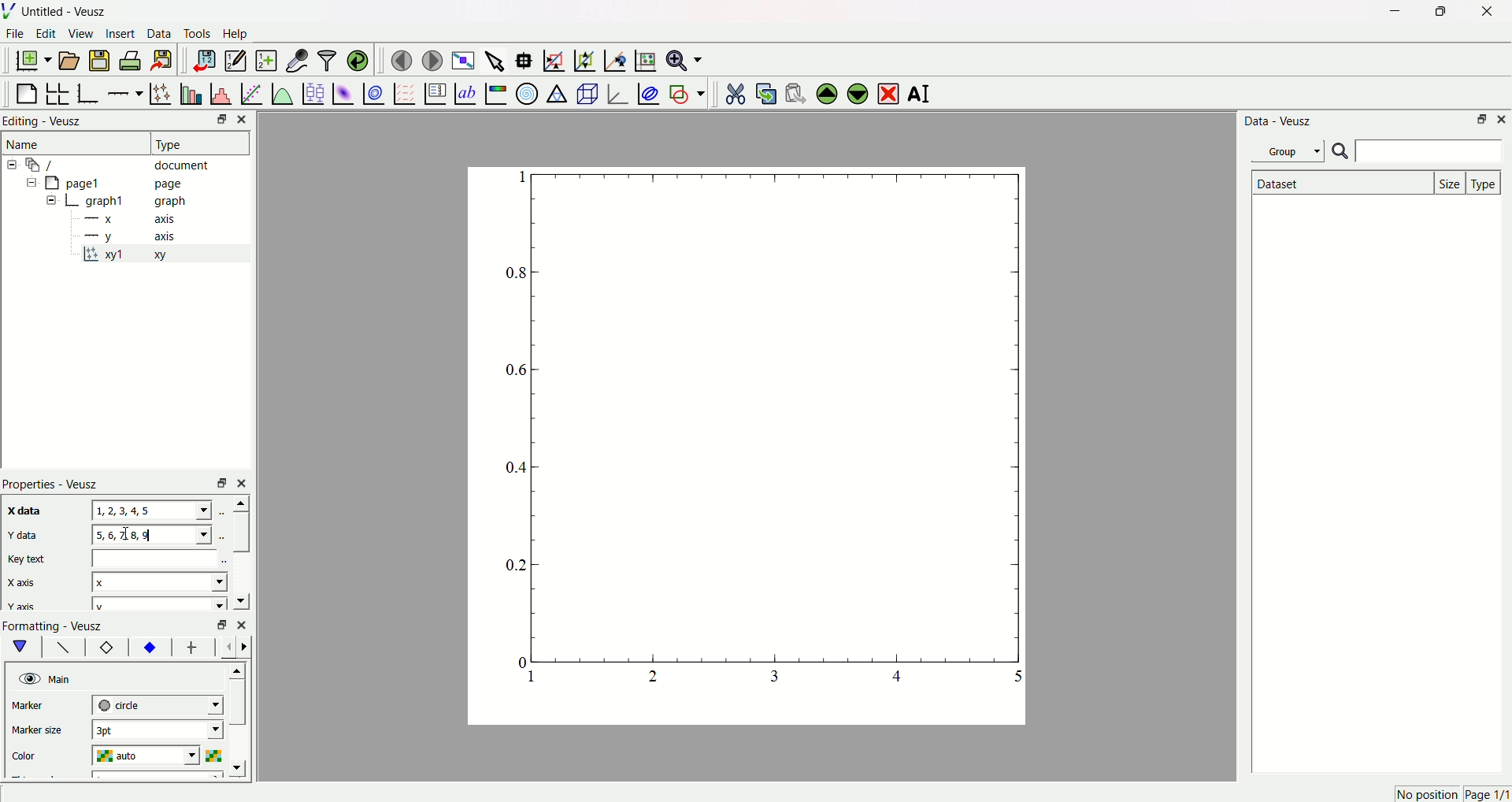 The image size is (1512, 802). What do you see at coordinates (617, 93) in the screenshot?
I see `3d graphs` at bounding box center [617, 93].